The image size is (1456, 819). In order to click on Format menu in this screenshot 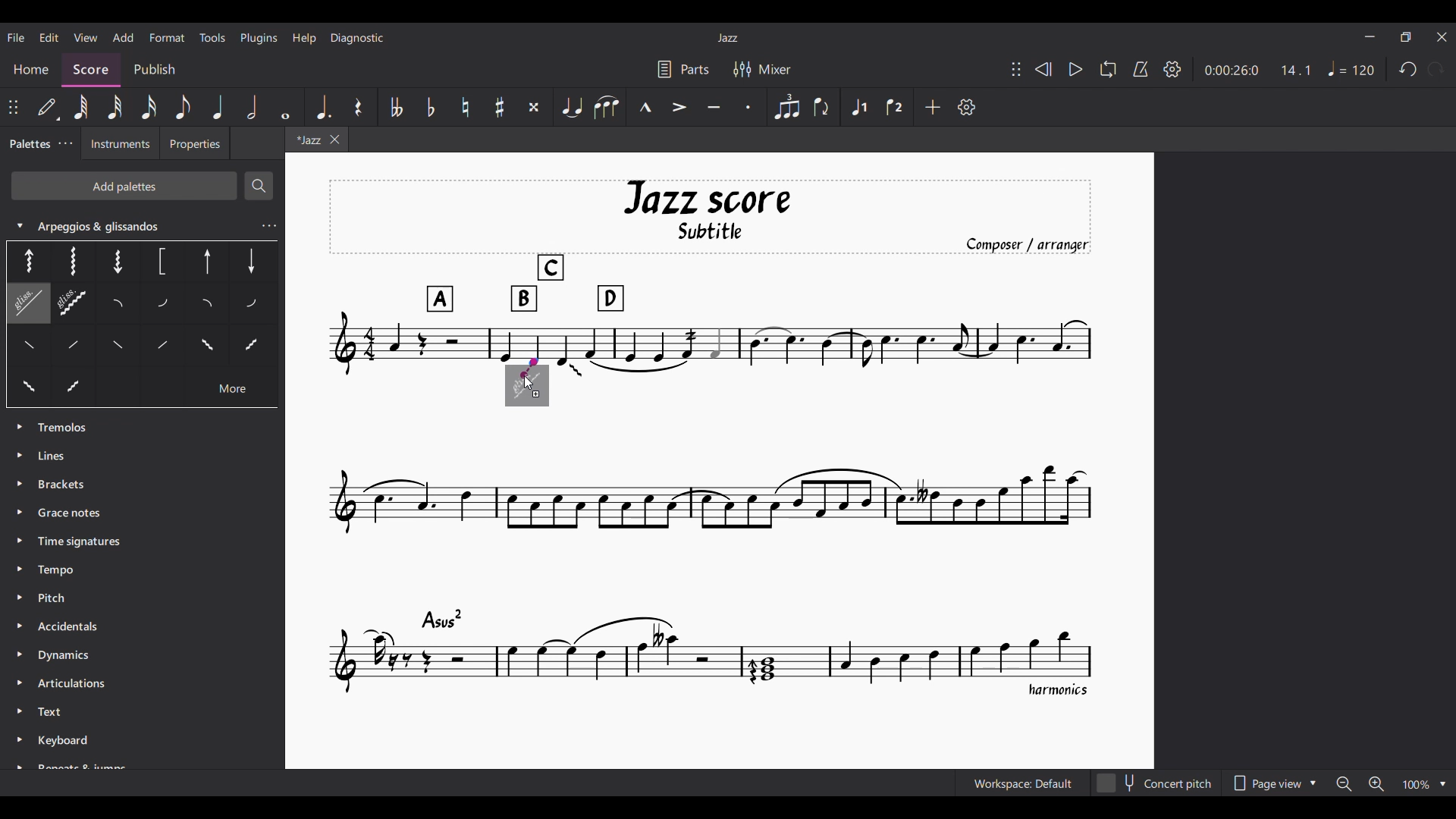, I will do `click(167, 37)`.